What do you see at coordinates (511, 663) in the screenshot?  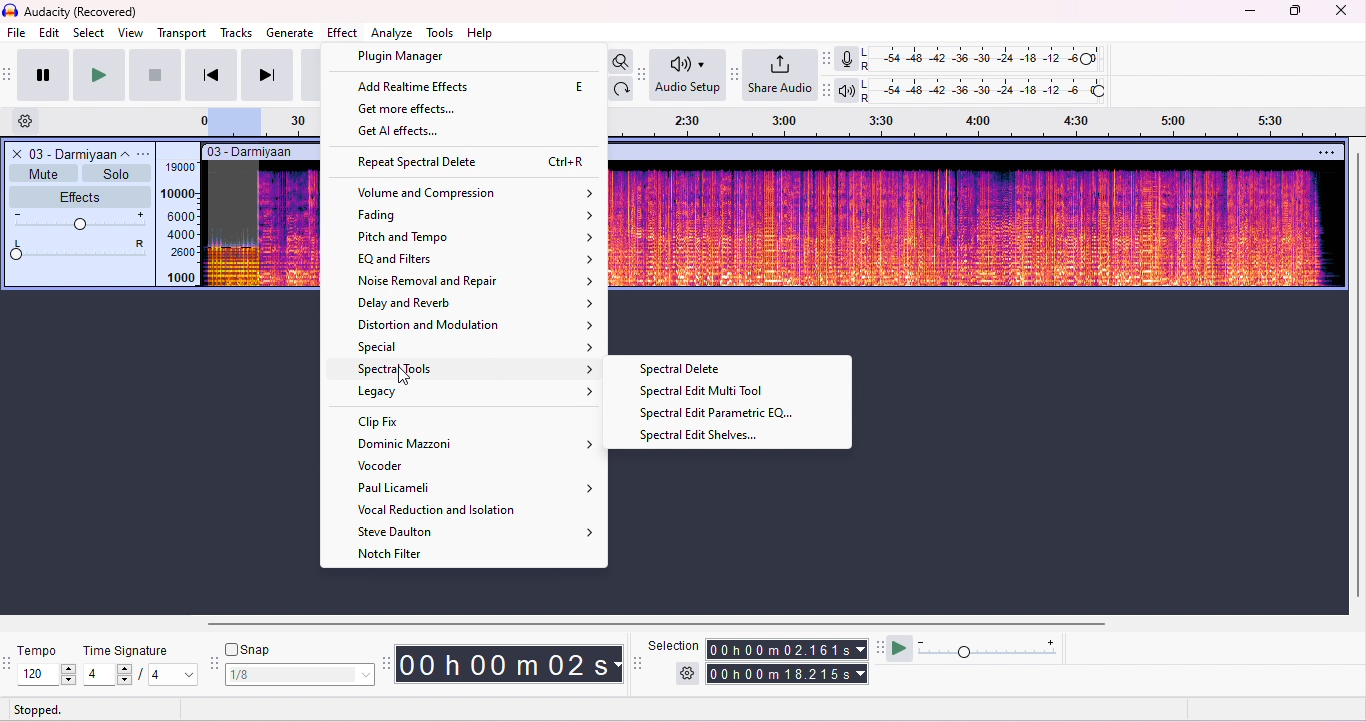 I see `audacity time` at bounding box center [511, 663].